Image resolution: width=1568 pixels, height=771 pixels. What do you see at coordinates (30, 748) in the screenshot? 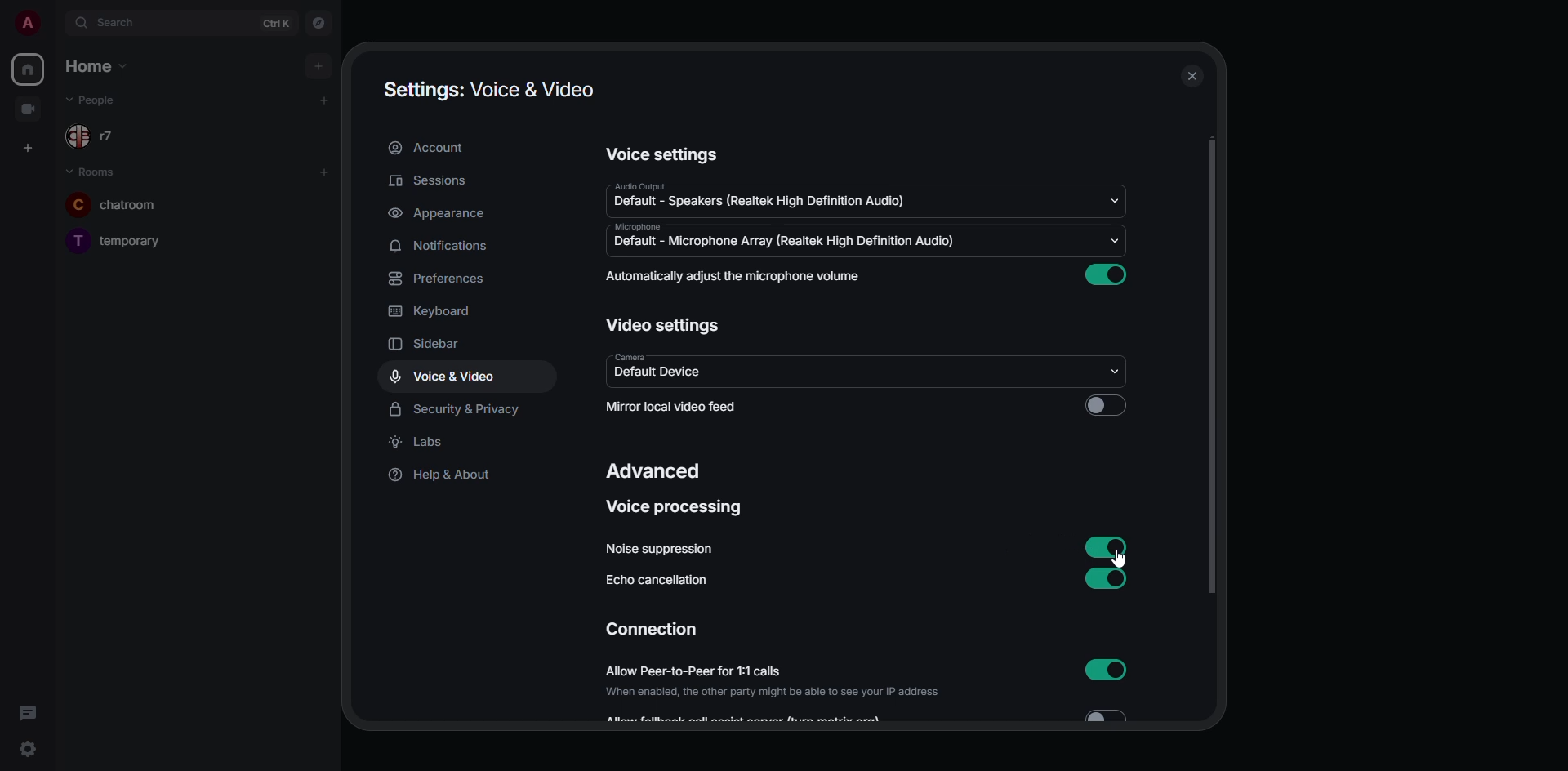
I see `quick settings` at bounding box center [30, 748].